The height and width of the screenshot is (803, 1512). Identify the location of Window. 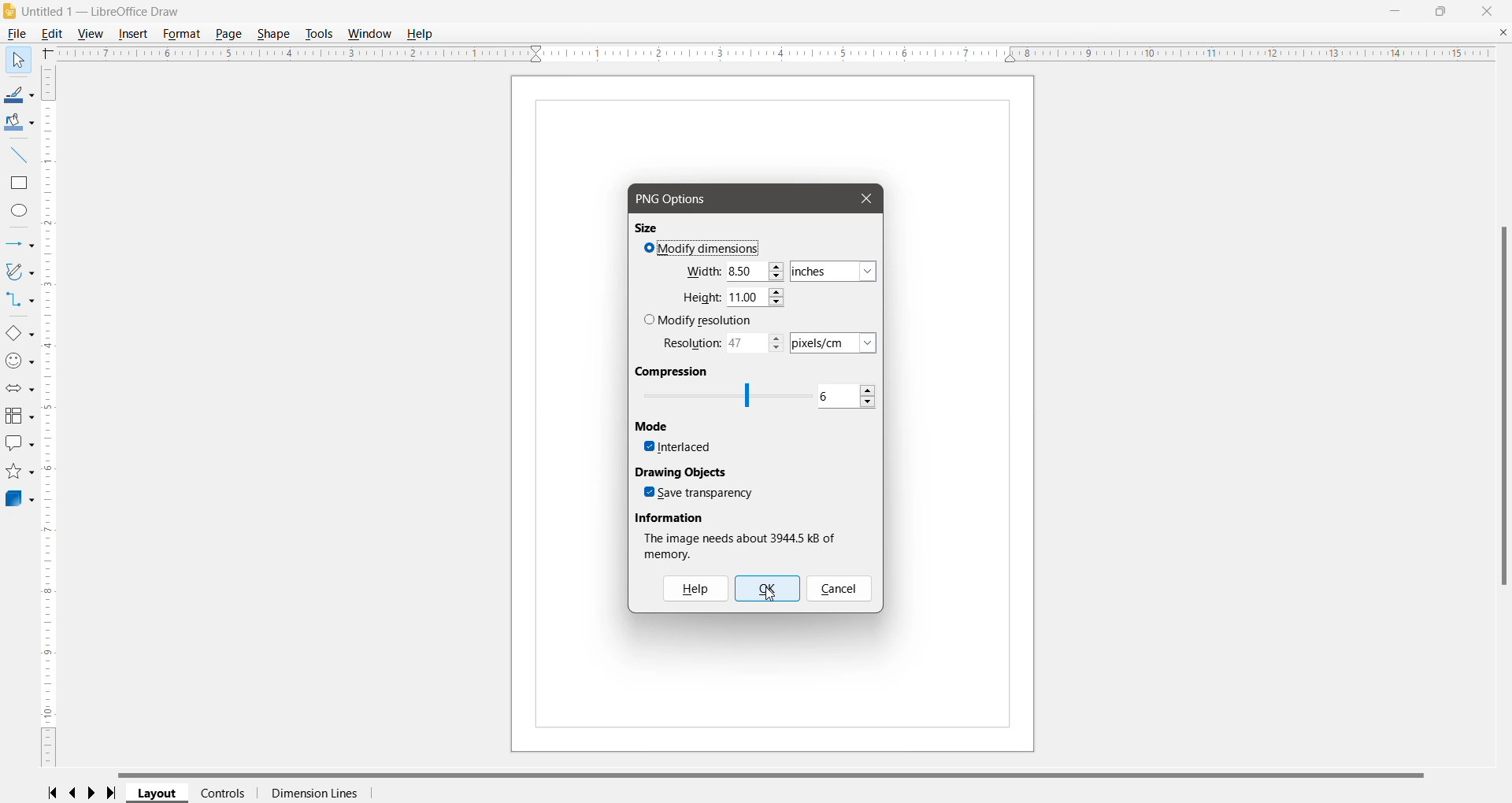
(371, 34).